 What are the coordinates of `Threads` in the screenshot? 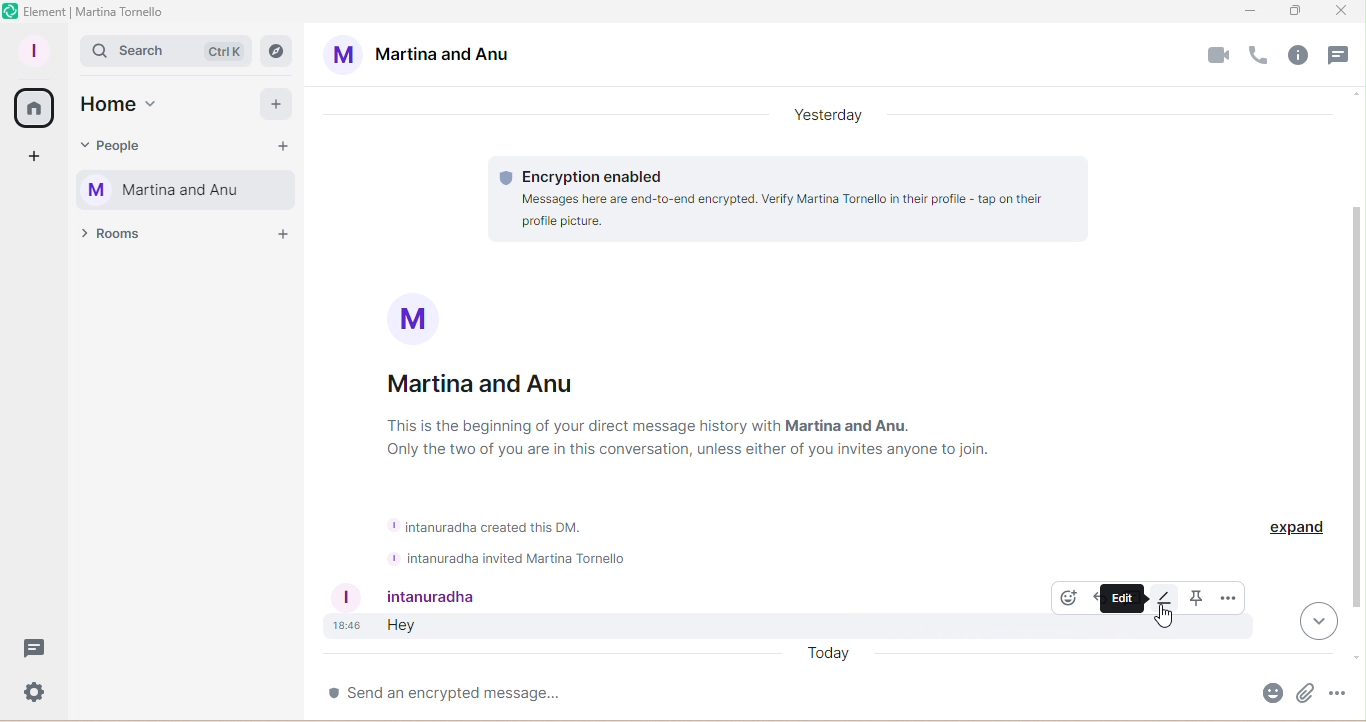 It's located at (33, 655).